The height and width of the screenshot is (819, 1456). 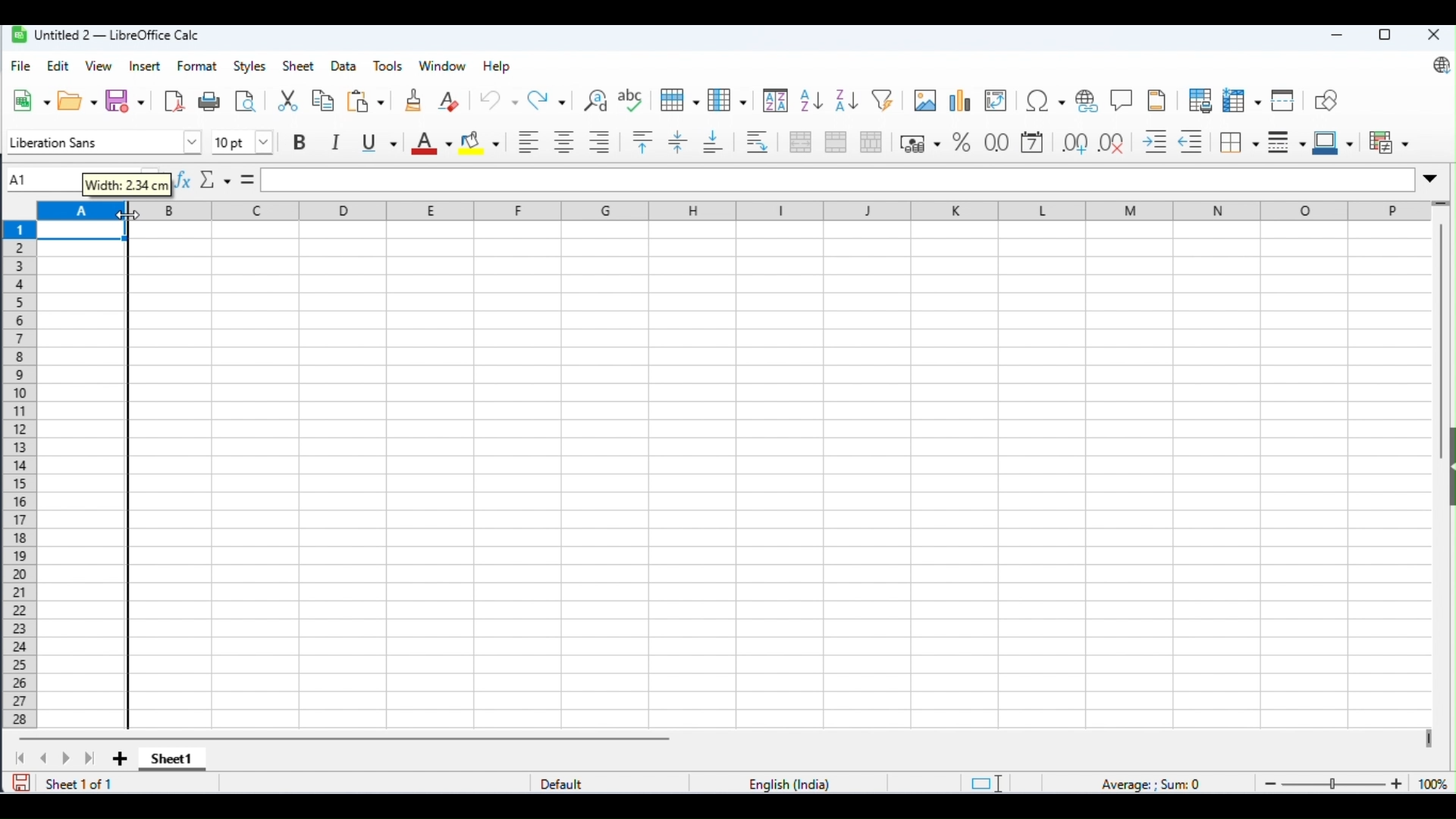 What do you see at coordinates (1074, 142) in the screenshot?
I see `add decimal place` at bounding box center [1074, 142].